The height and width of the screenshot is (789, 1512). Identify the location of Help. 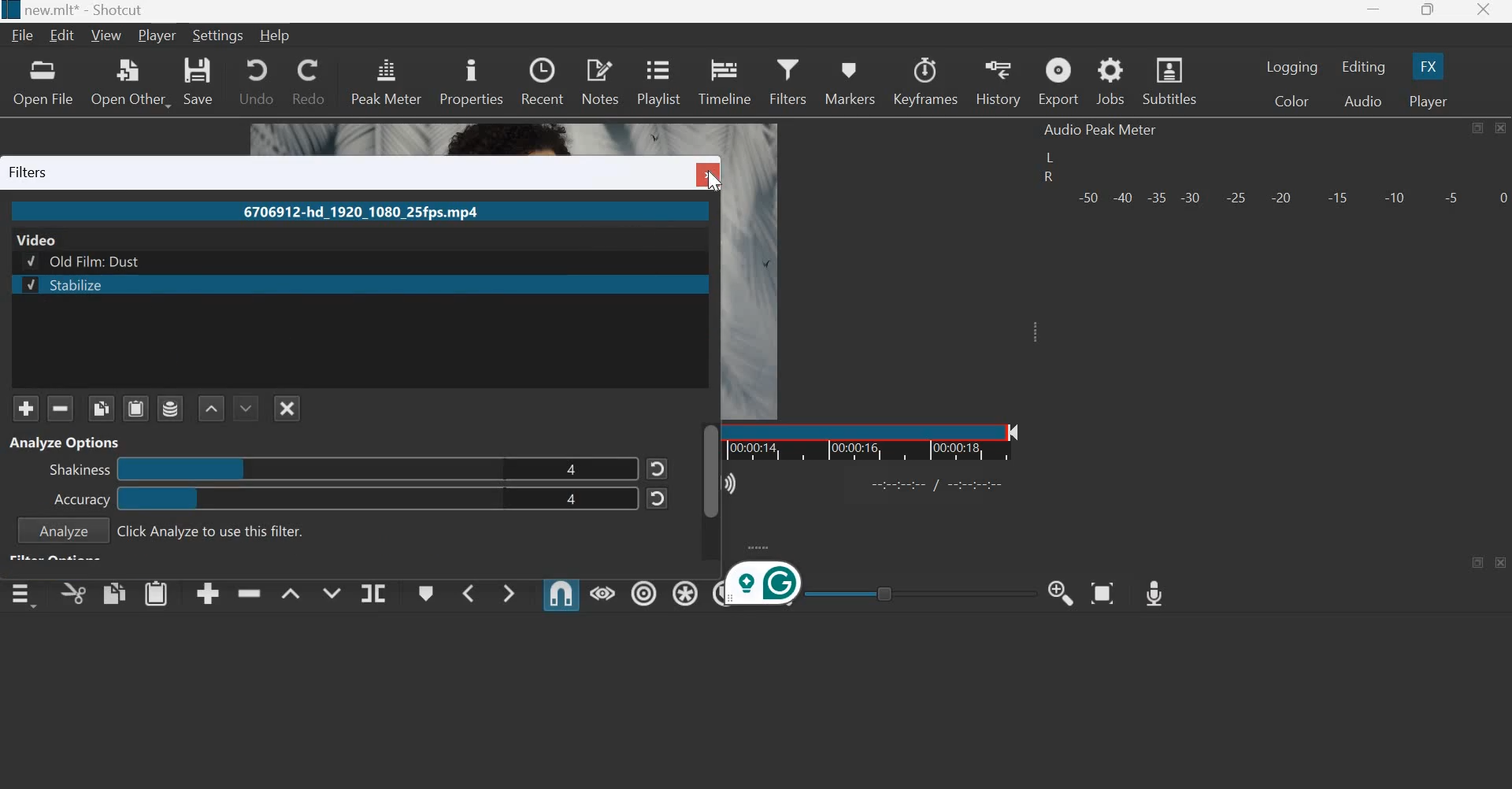
(276, 37).